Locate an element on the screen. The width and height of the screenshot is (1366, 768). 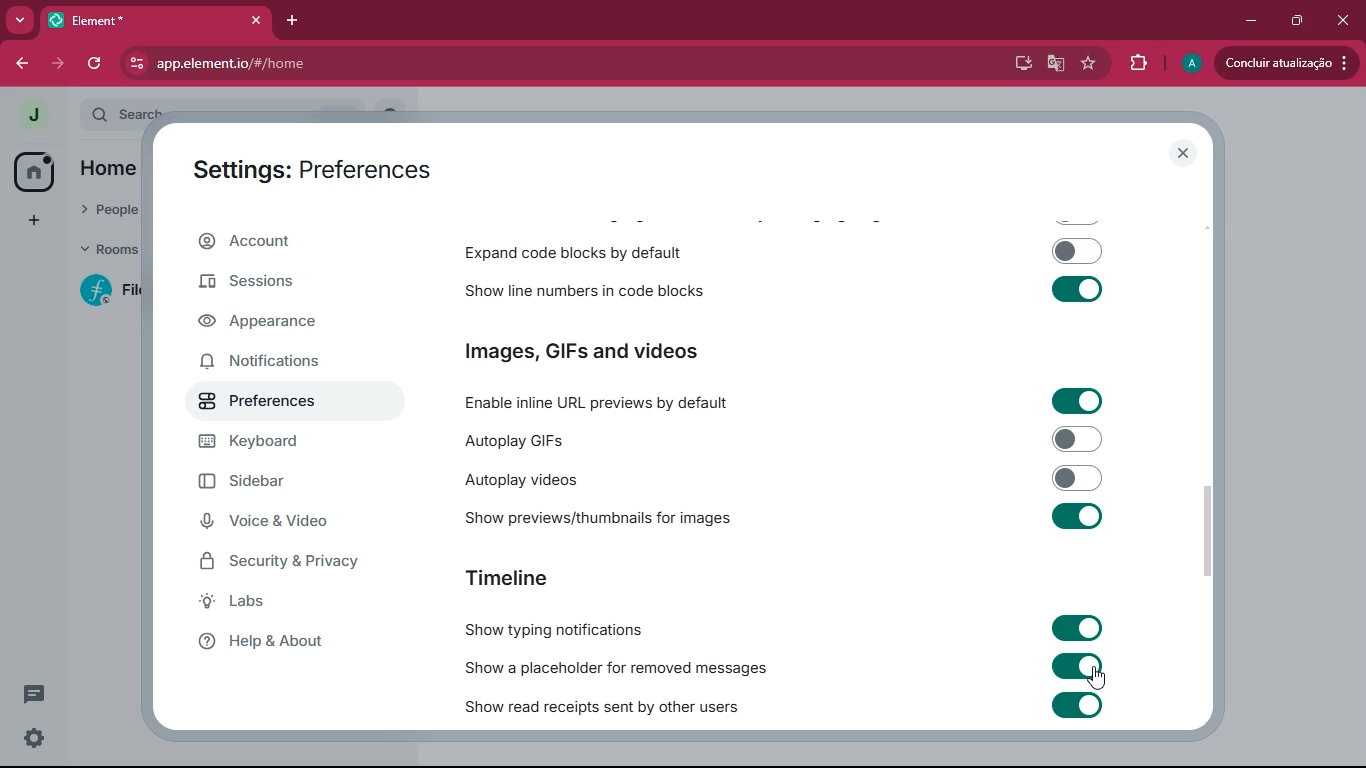
update is located at coordinates (1286, 61).